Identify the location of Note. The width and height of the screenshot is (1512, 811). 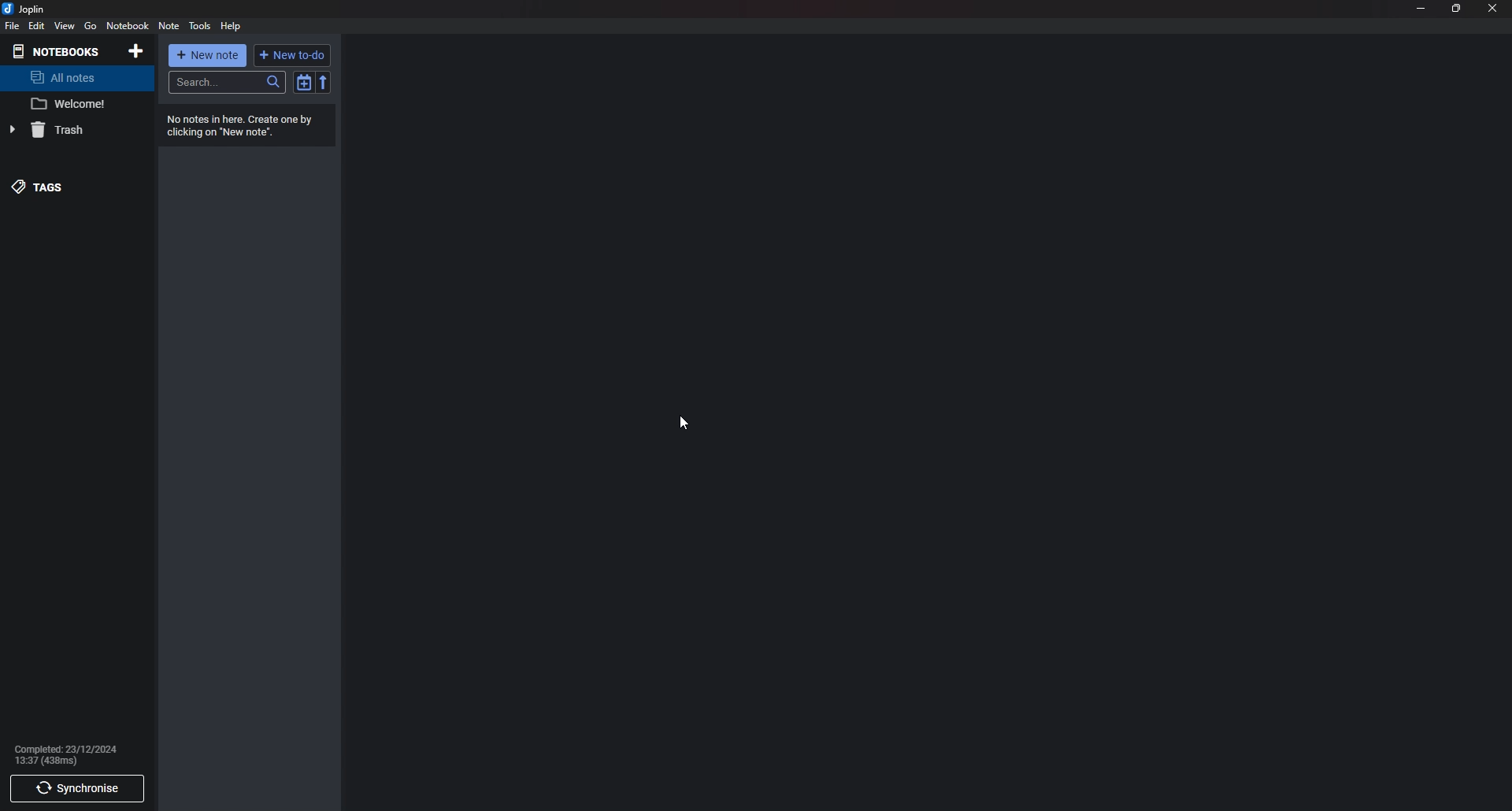
(169, 26).